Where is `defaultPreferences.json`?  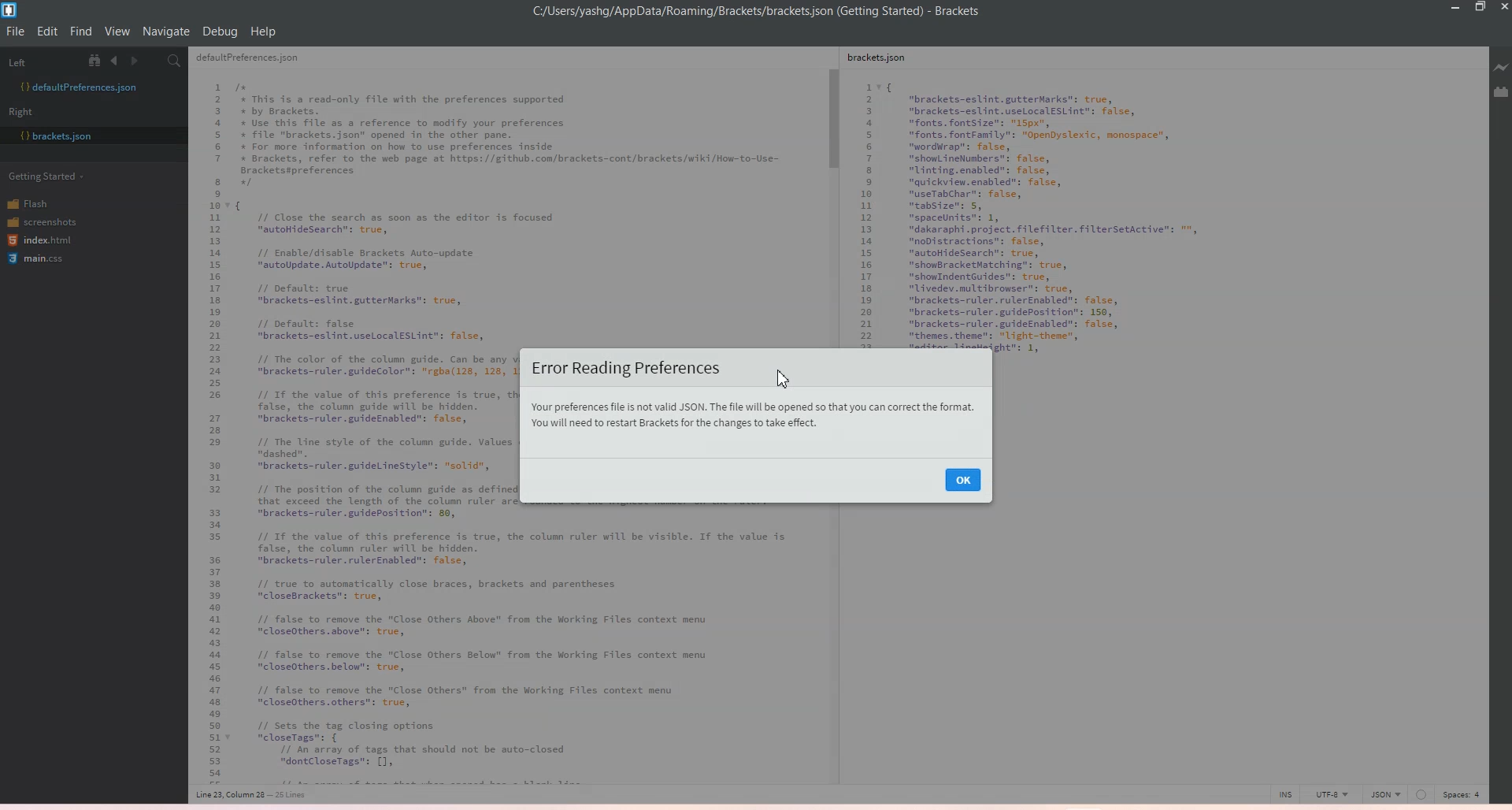 defaultPreferences.json is located at coordinates (257, 60).